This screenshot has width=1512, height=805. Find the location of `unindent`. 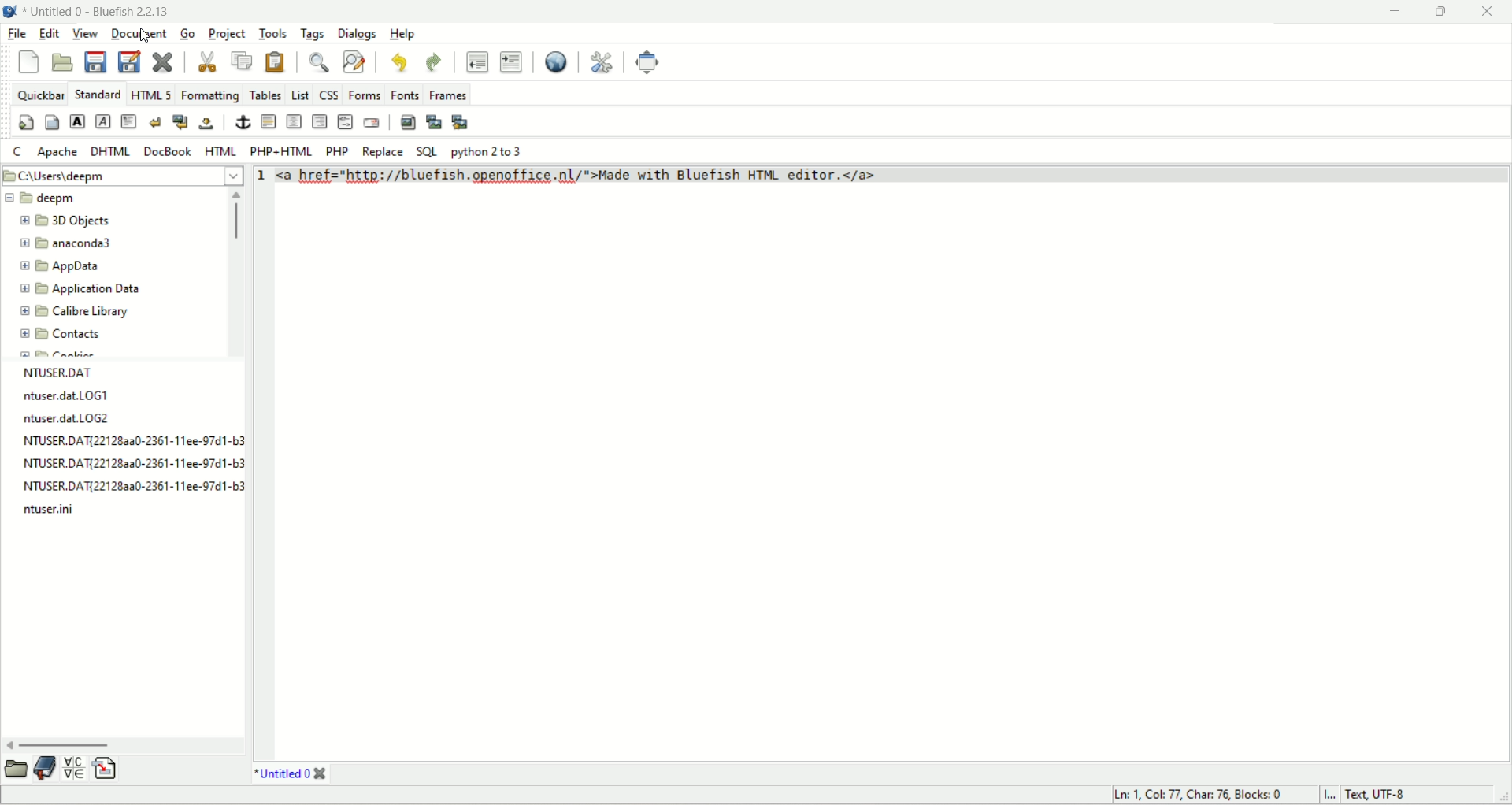

unindent is located at coordinates (477, 60).